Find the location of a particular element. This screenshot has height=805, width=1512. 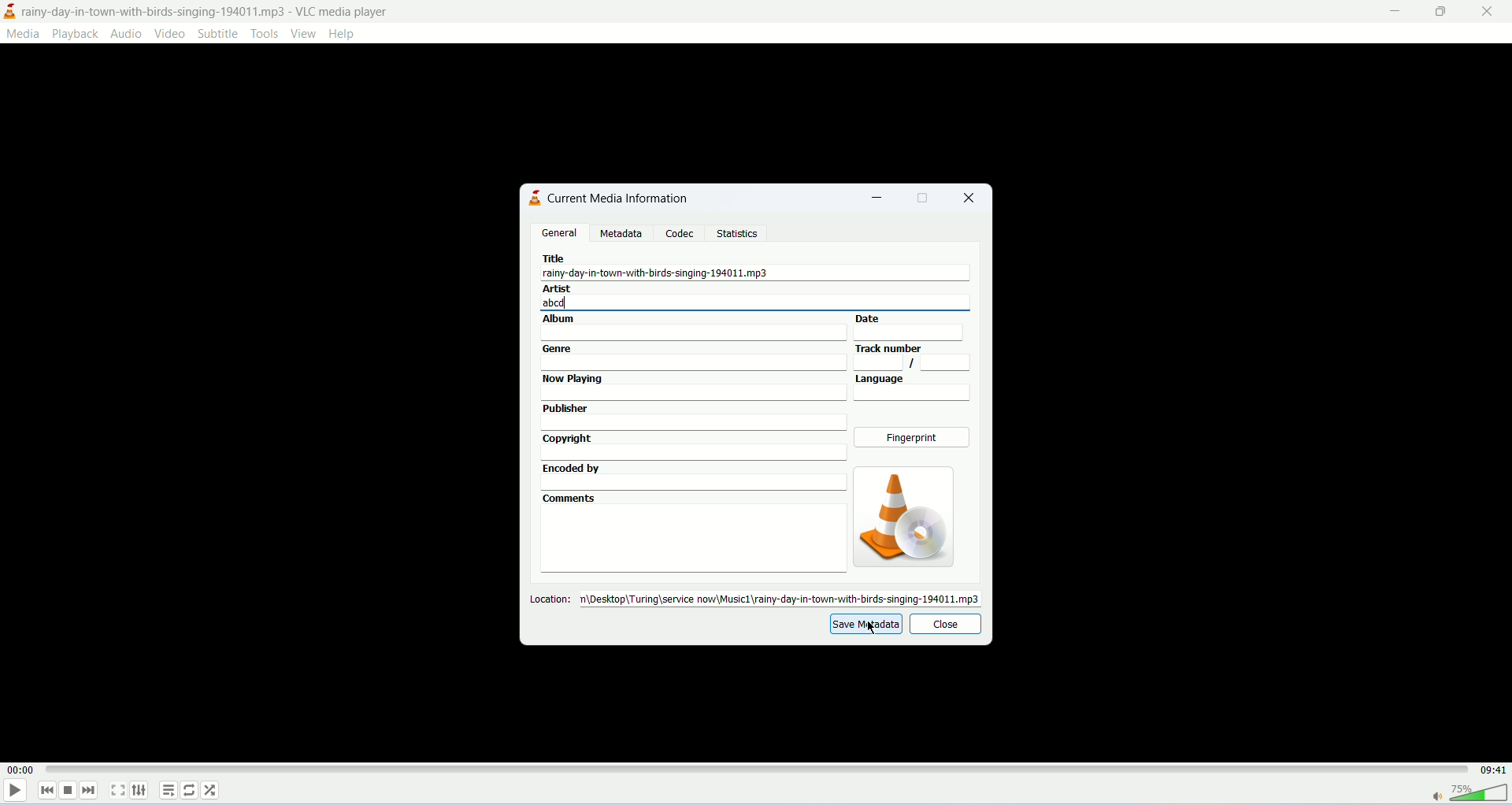

shuffle is located at coordinates (214, 790).